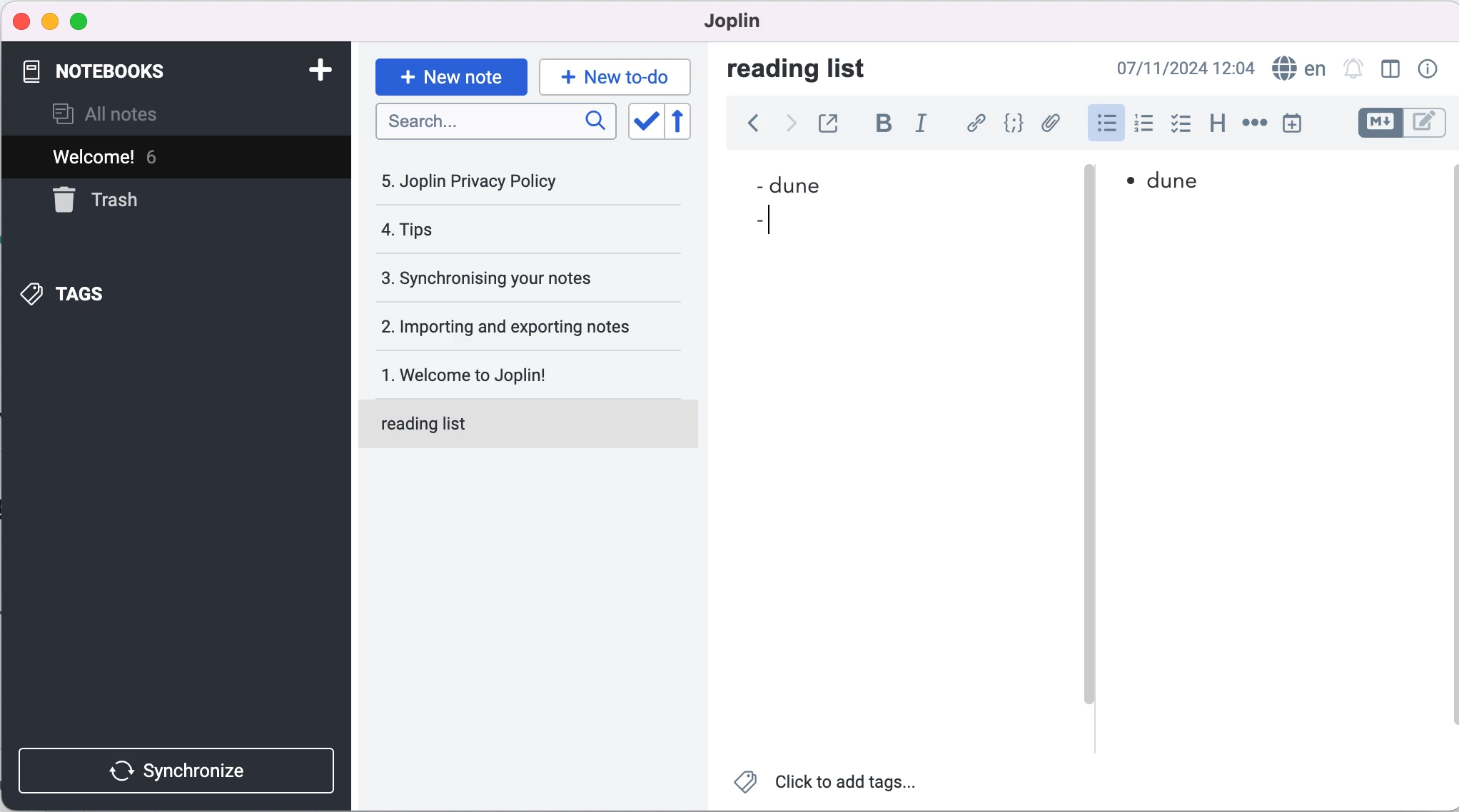 This screenshot has height=812, width=1459. Describe the element at coordinates (1353, 69) in the screenshot. I see `set alarm` at that location.